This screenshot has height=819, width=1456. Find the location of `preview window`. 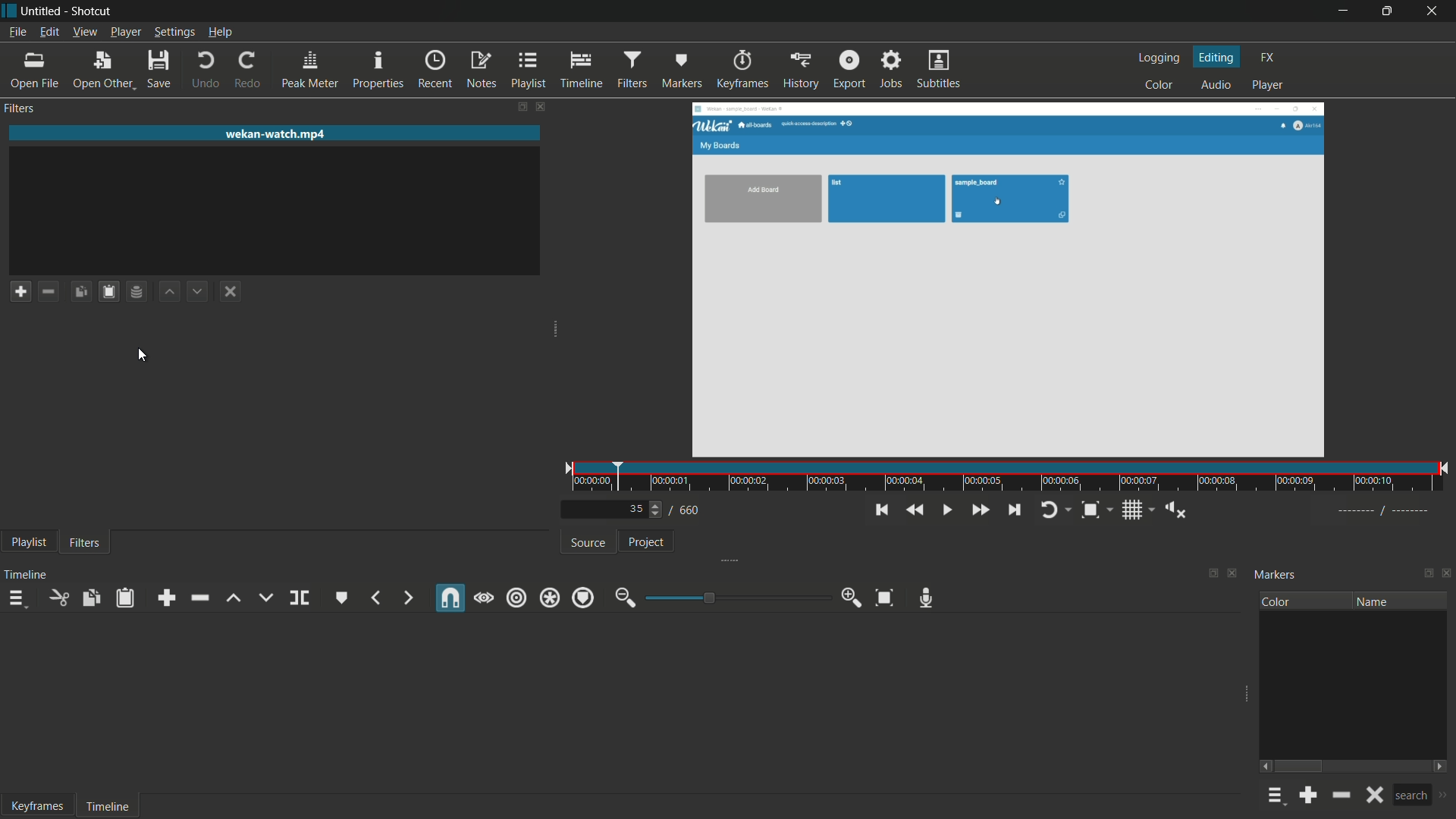

preview window is located at coordinates (1007, 281).